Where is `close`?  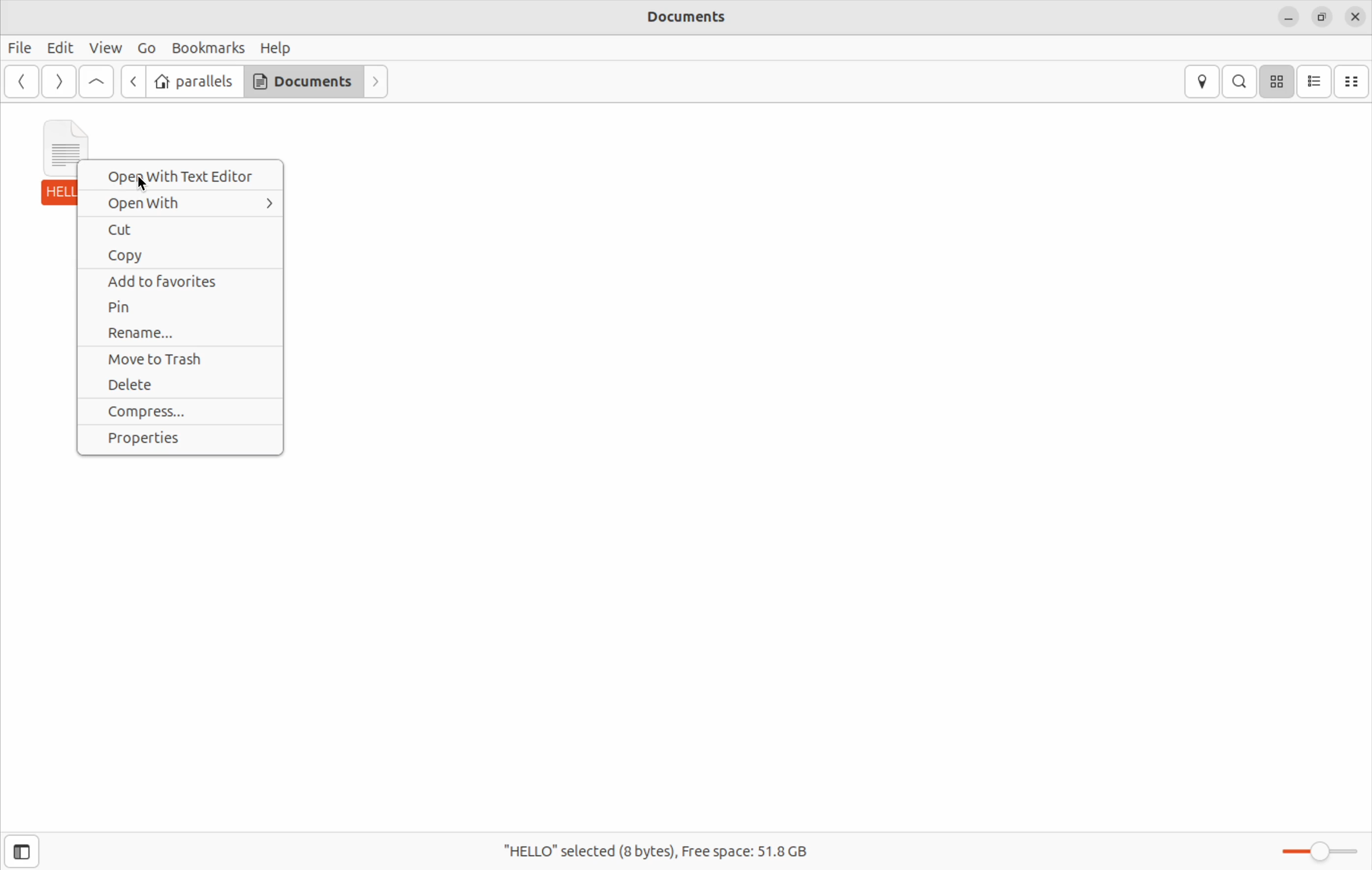 close is located at coordinates (1354, 18).